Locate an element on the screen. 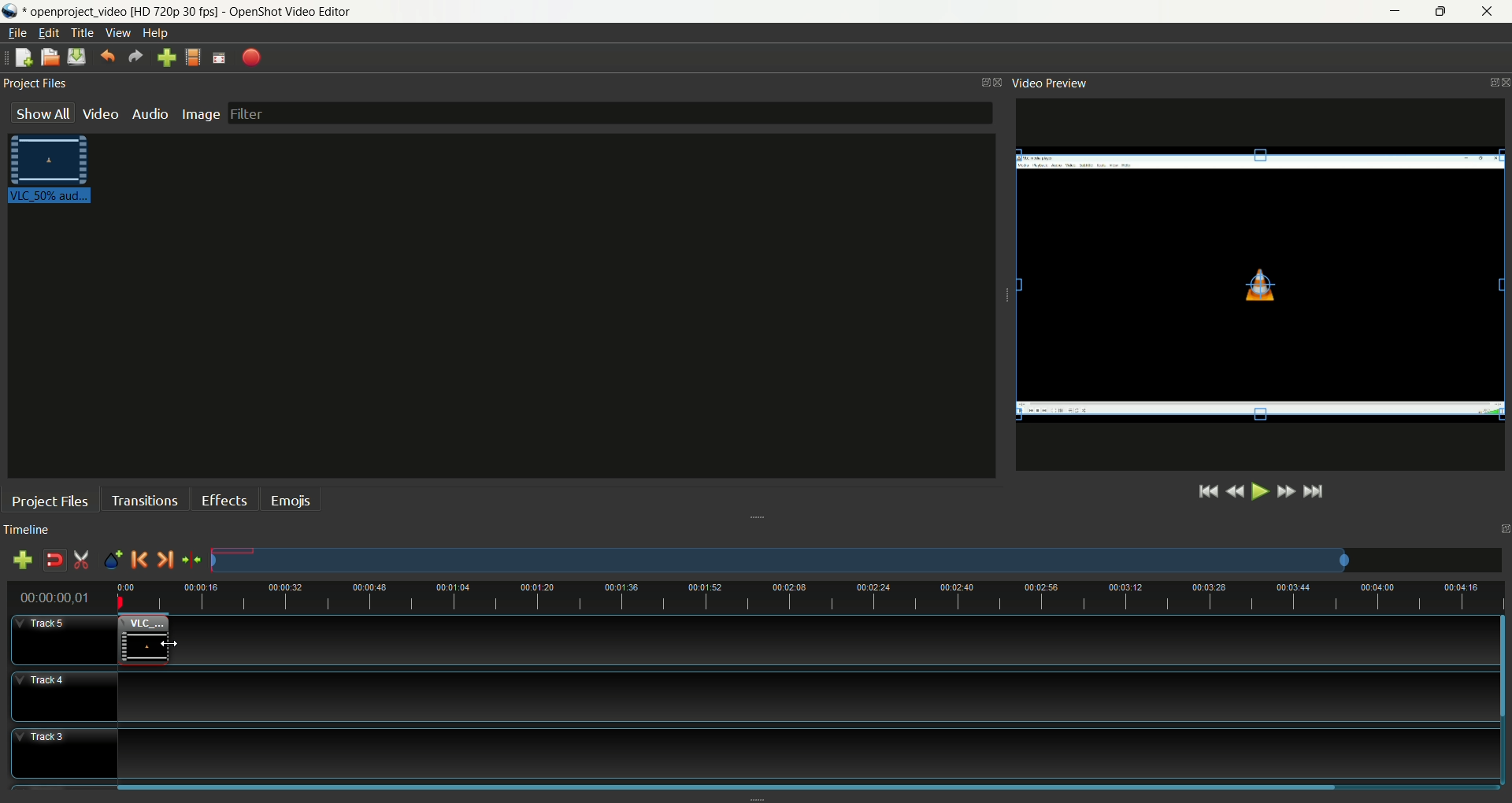 Image resolution: width=1512 pixels, height=803 pixels. jump to the start is located at coordinates (1203, 493).